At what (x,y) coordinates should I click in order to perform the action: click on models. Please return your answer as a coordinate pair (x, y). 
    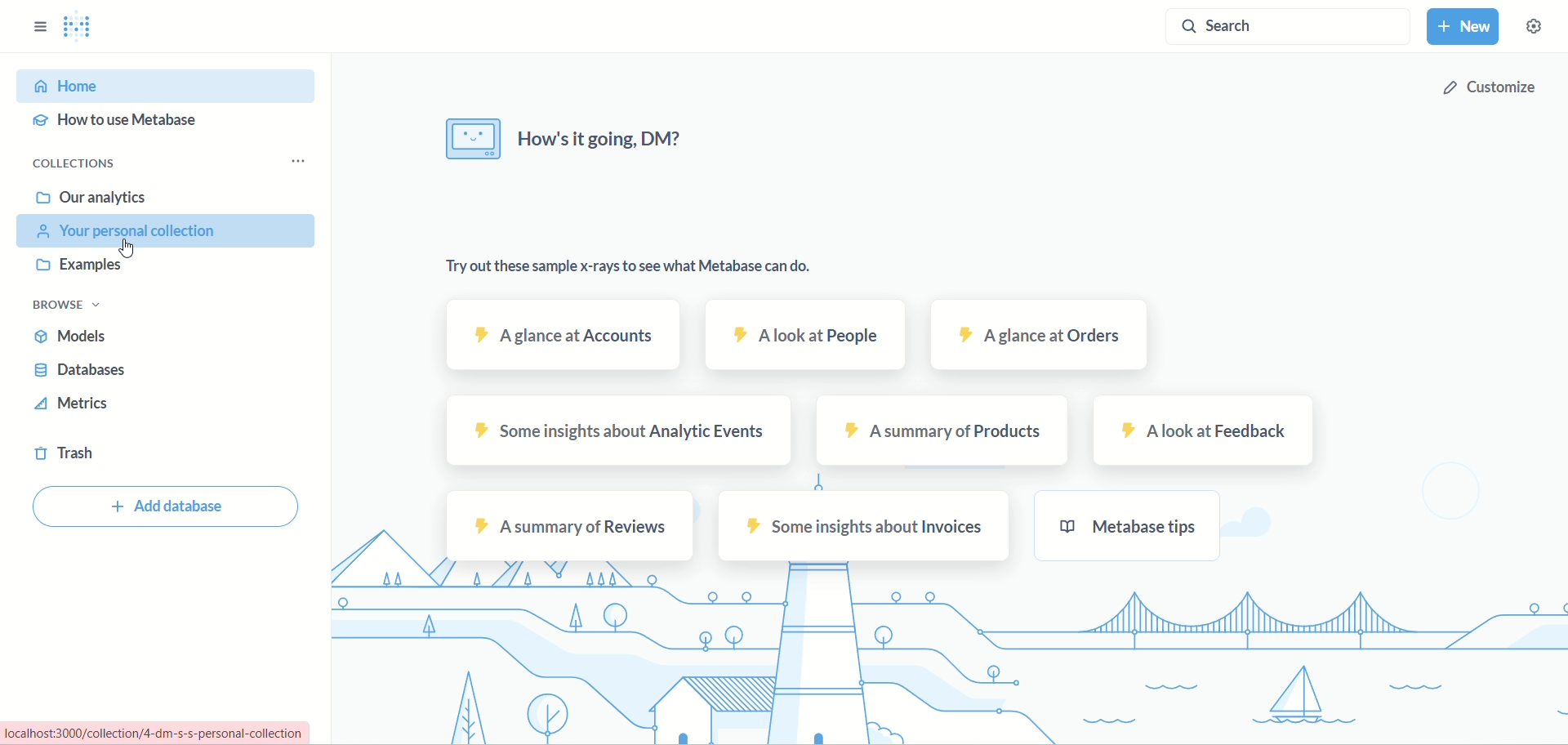
    Looking at the image, I should click on (78, 339).